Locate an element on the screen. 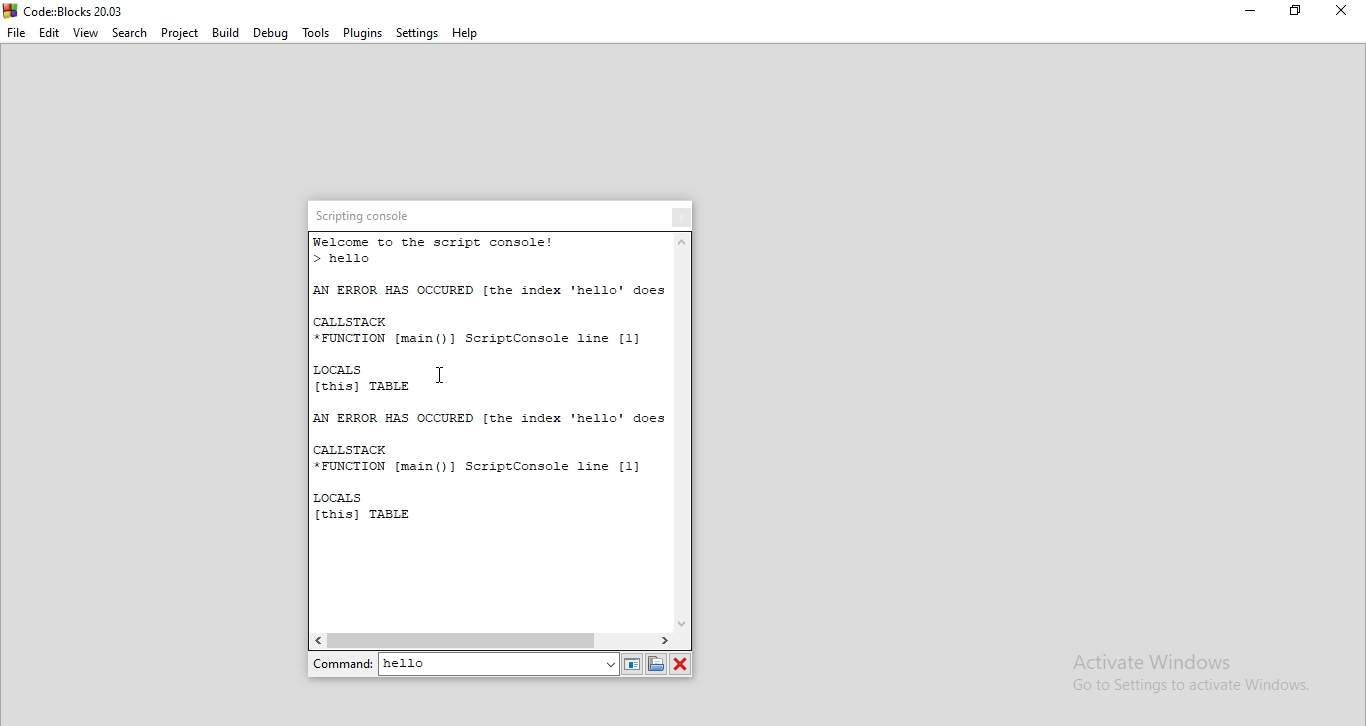 Image resolution: width=1366 pixels, height=726 pixels. View  is located at coordinates (86, 33).